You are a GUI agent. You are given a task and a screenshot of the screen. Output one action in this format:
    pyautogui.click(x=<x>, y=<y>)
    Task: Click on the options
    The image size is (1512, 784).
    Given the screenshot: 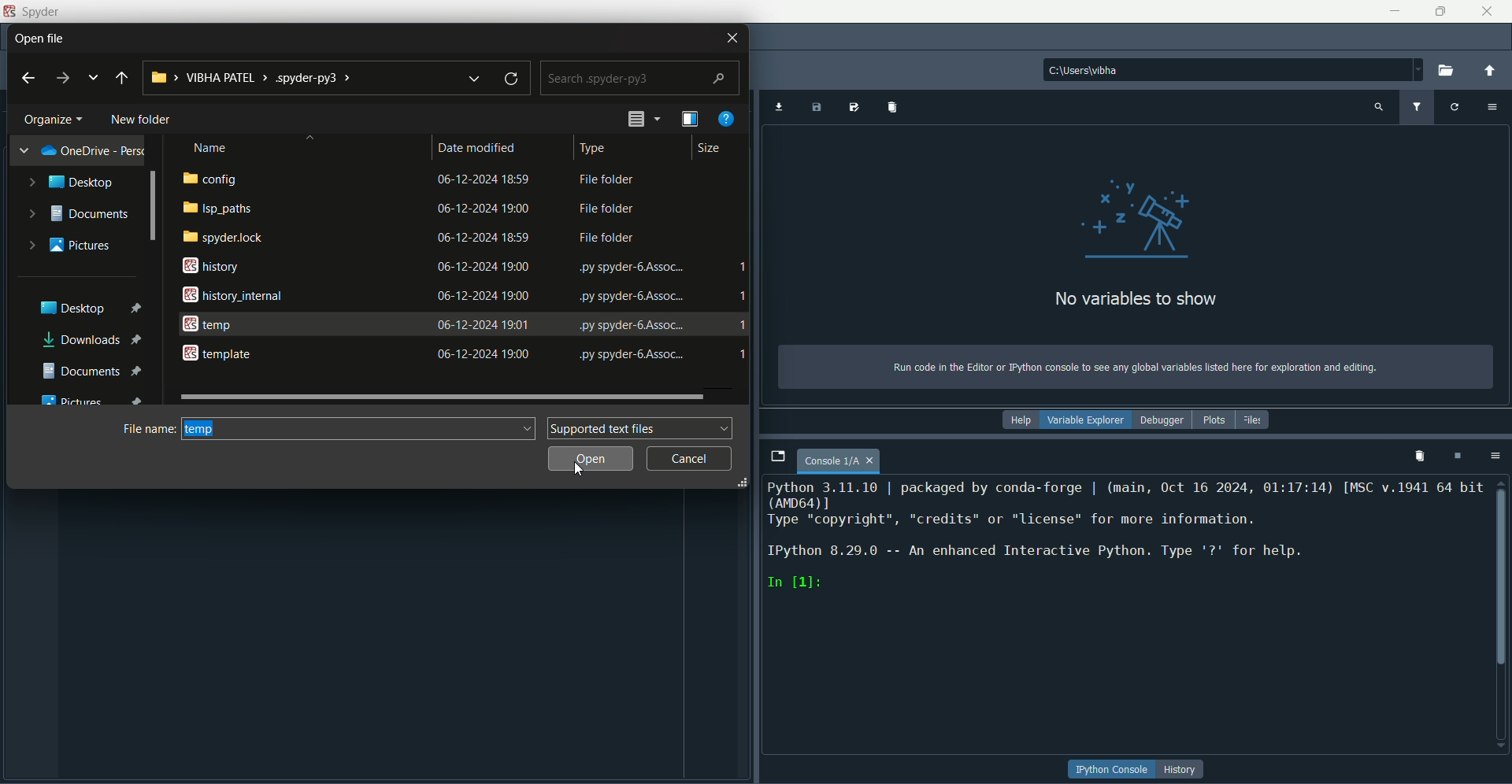 What is the action you would take?
    pyautogui.click(x=1495, y=107)
    